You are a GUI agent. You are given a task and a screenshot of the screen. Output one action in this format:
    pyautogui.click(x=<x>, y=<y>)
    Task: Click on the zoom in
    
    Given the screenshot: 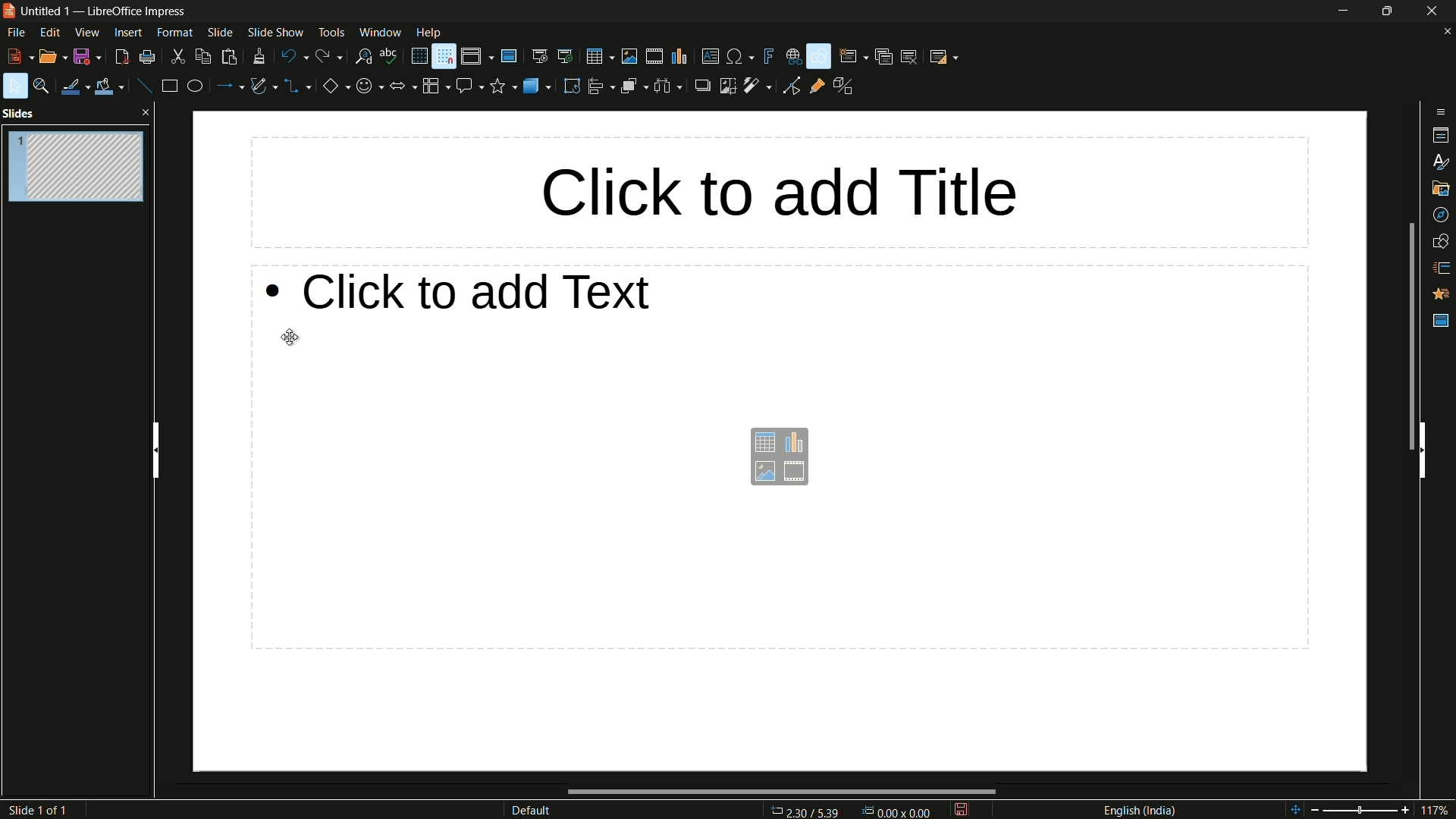 What is the action you would take?
    pyautogui.click(x=1405, y=812)
    